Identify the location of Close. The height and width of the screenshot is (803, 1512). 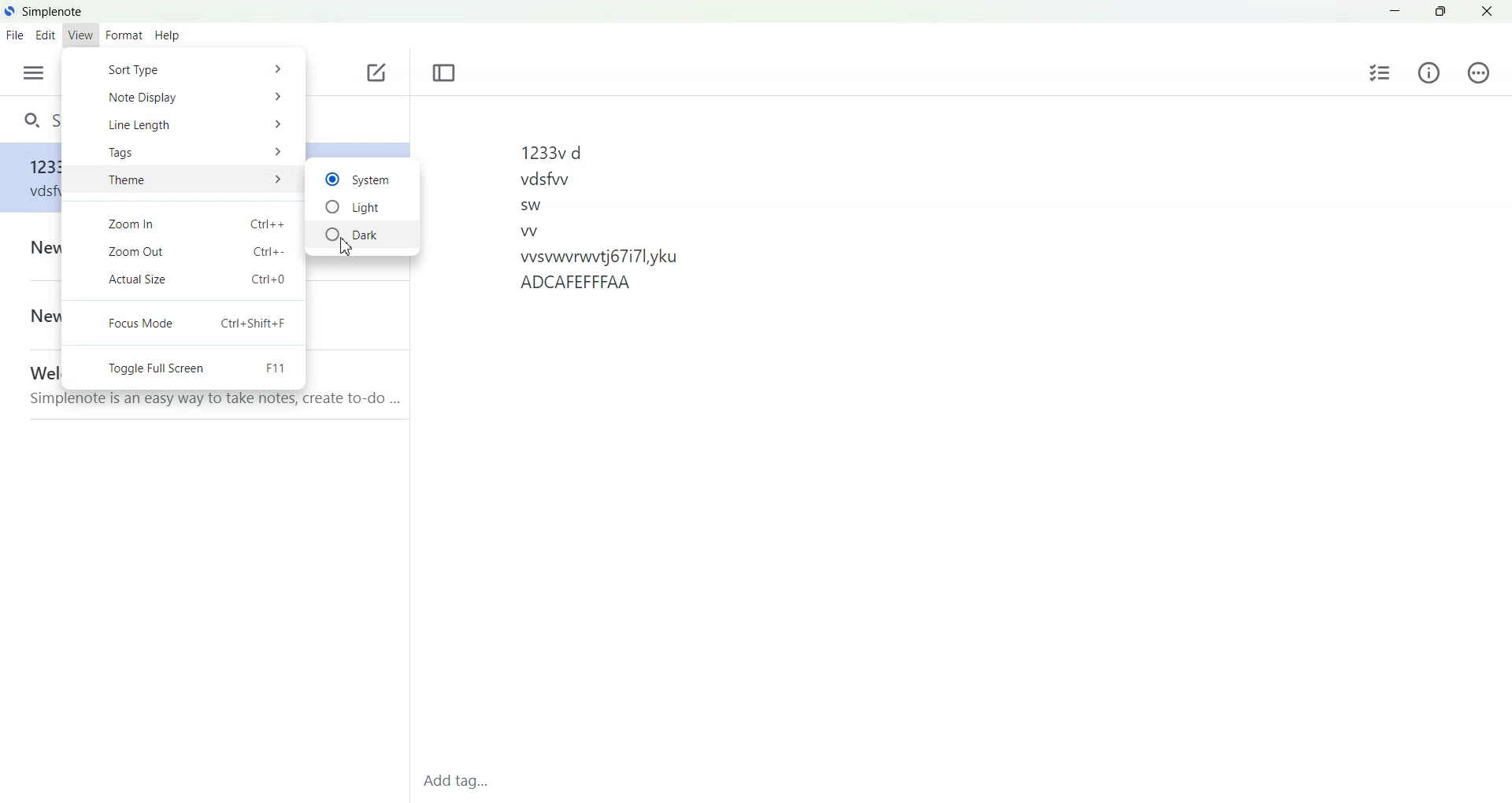
(1486, 9).